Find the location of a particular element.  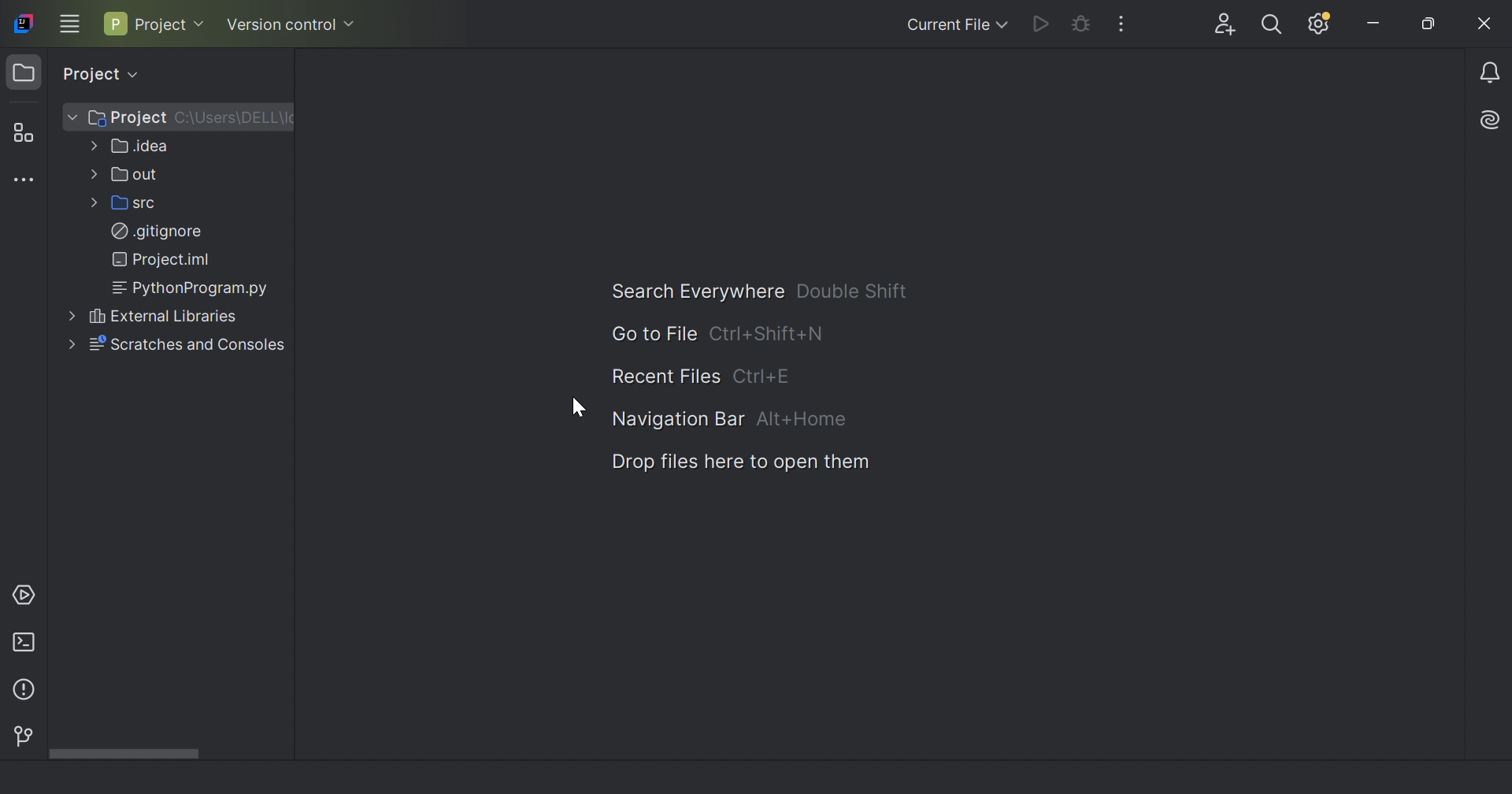

Minimize is located at coordinates (1379, 25).